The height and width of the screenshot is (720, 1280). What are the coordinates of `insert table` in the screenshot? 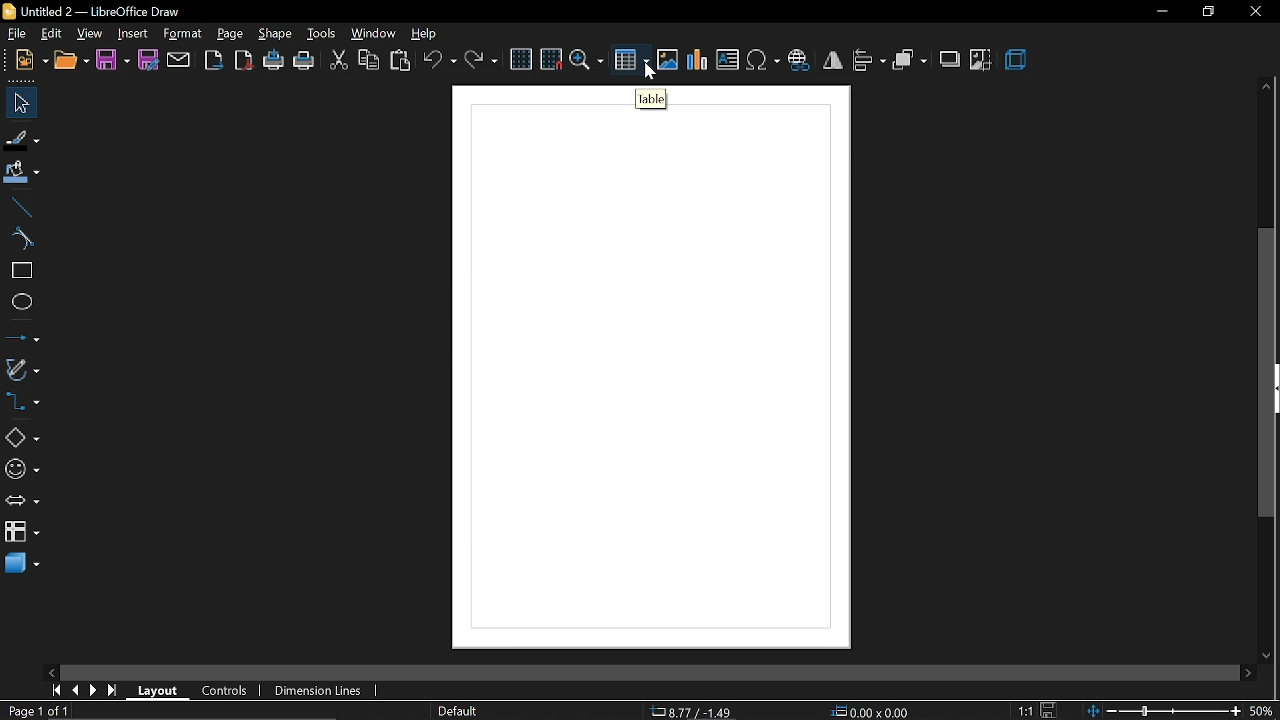 It's located at (631, 59).